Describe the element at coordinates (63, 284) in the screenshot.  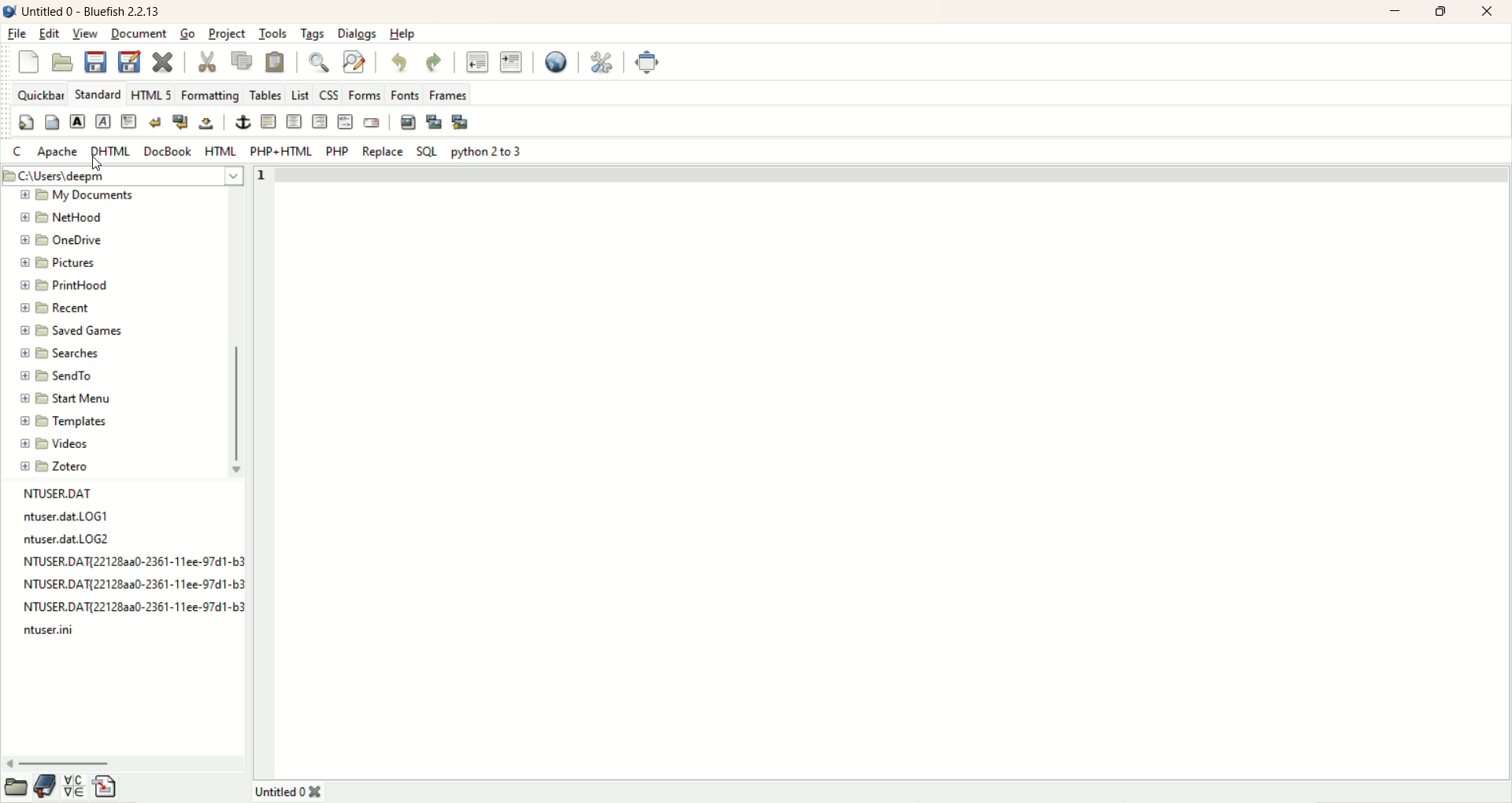
I see `printhood` at that location.